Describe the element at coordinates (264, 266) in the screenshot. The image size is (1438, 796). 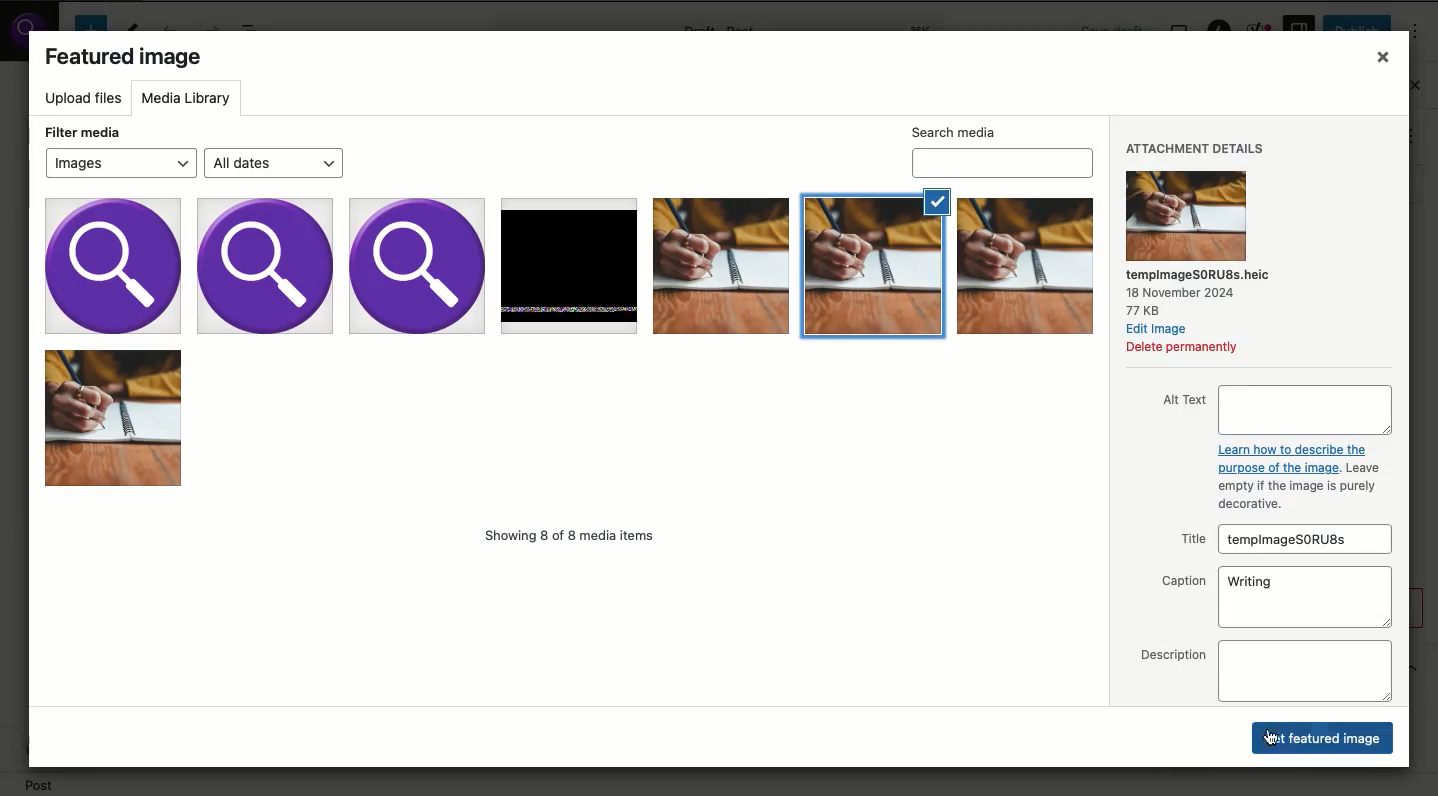
I see `Image` at that location.